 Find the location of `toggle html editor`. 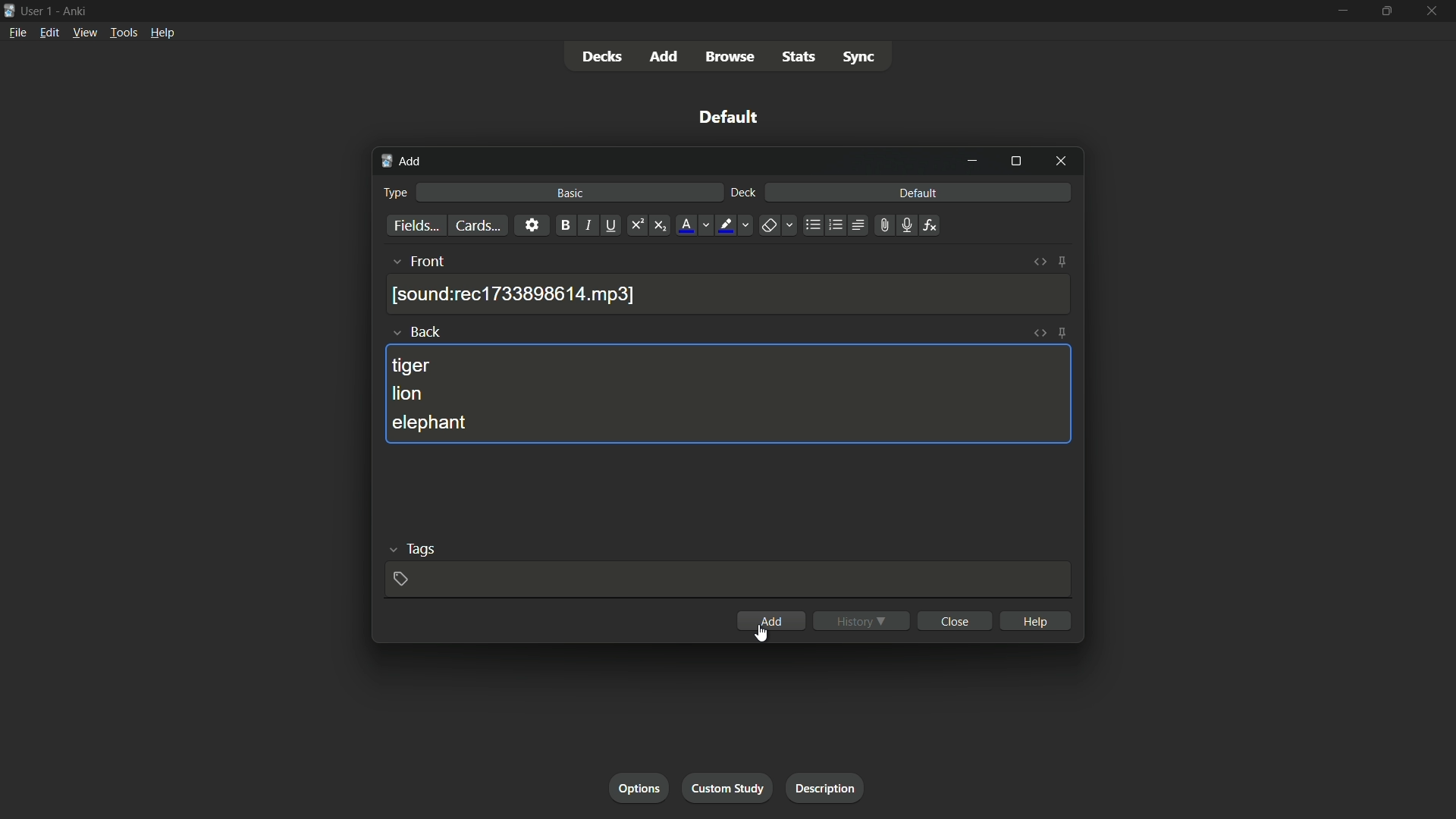

toggle html editor is located at coordinates (1040, 263).